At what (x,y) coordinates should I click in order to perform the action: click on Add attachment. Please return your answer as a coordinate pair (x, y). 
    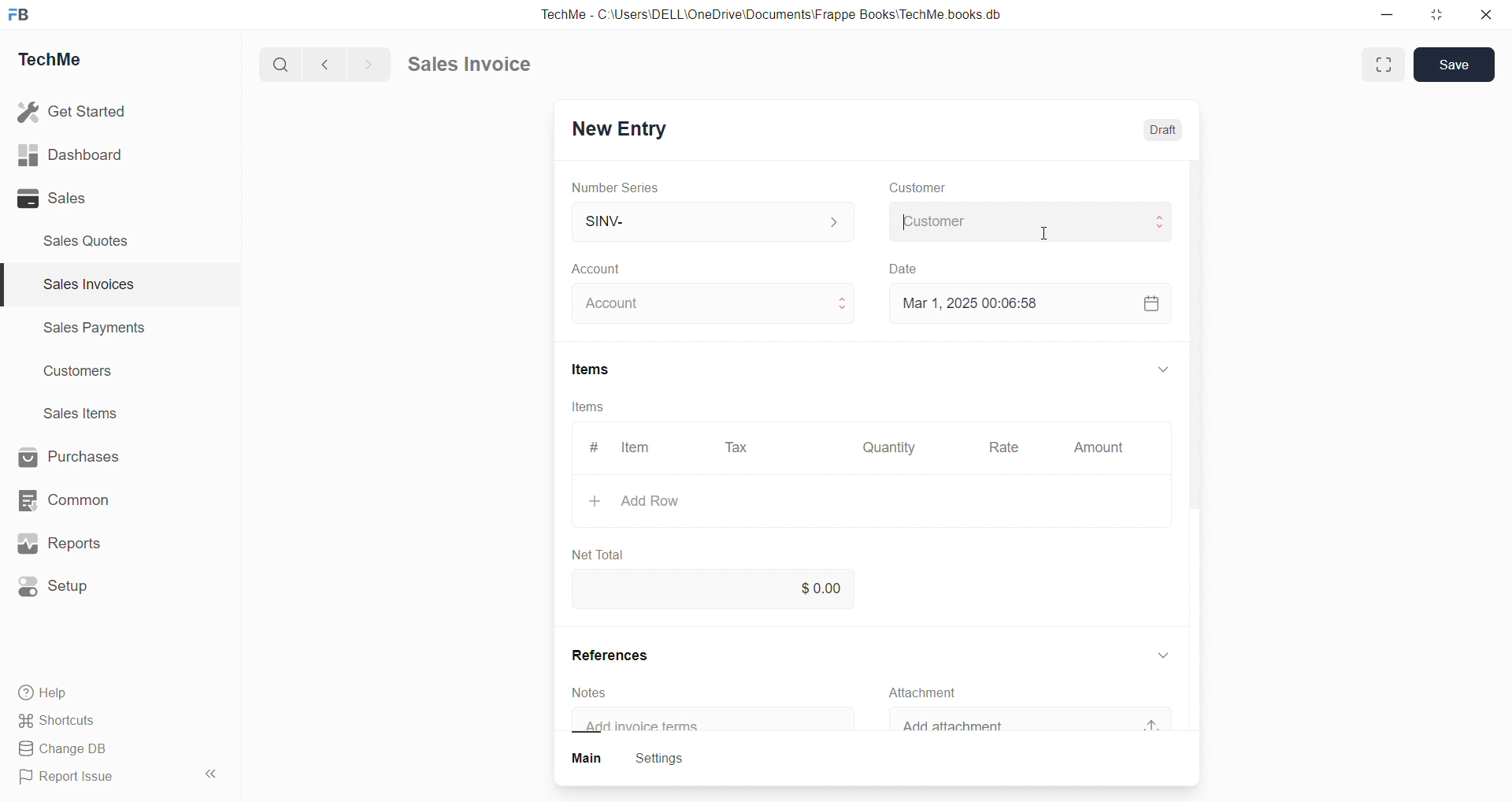
    Looking at the image, I should click on (976, 726).